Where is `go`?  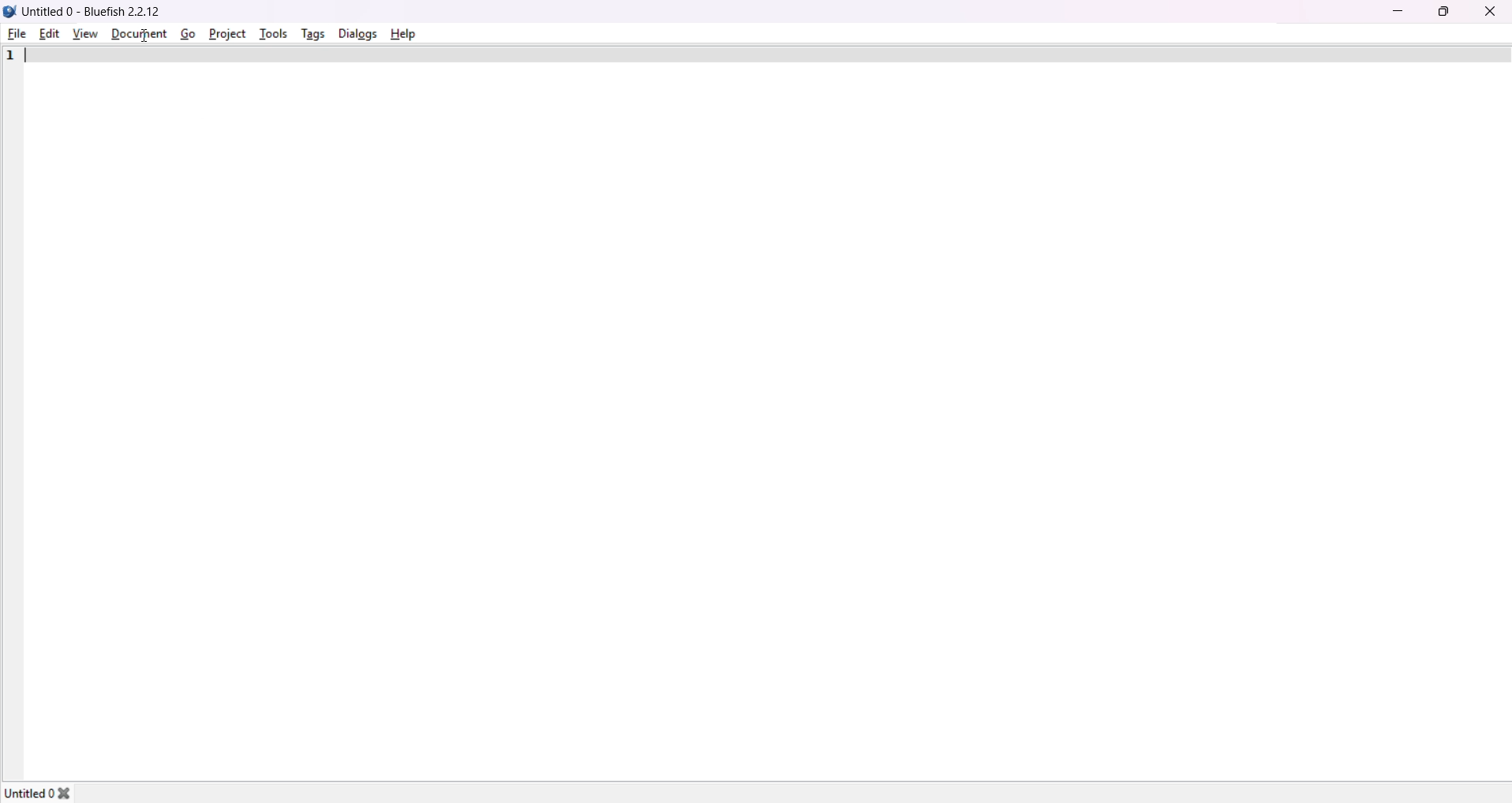
go is located at coordinates (186, 33).